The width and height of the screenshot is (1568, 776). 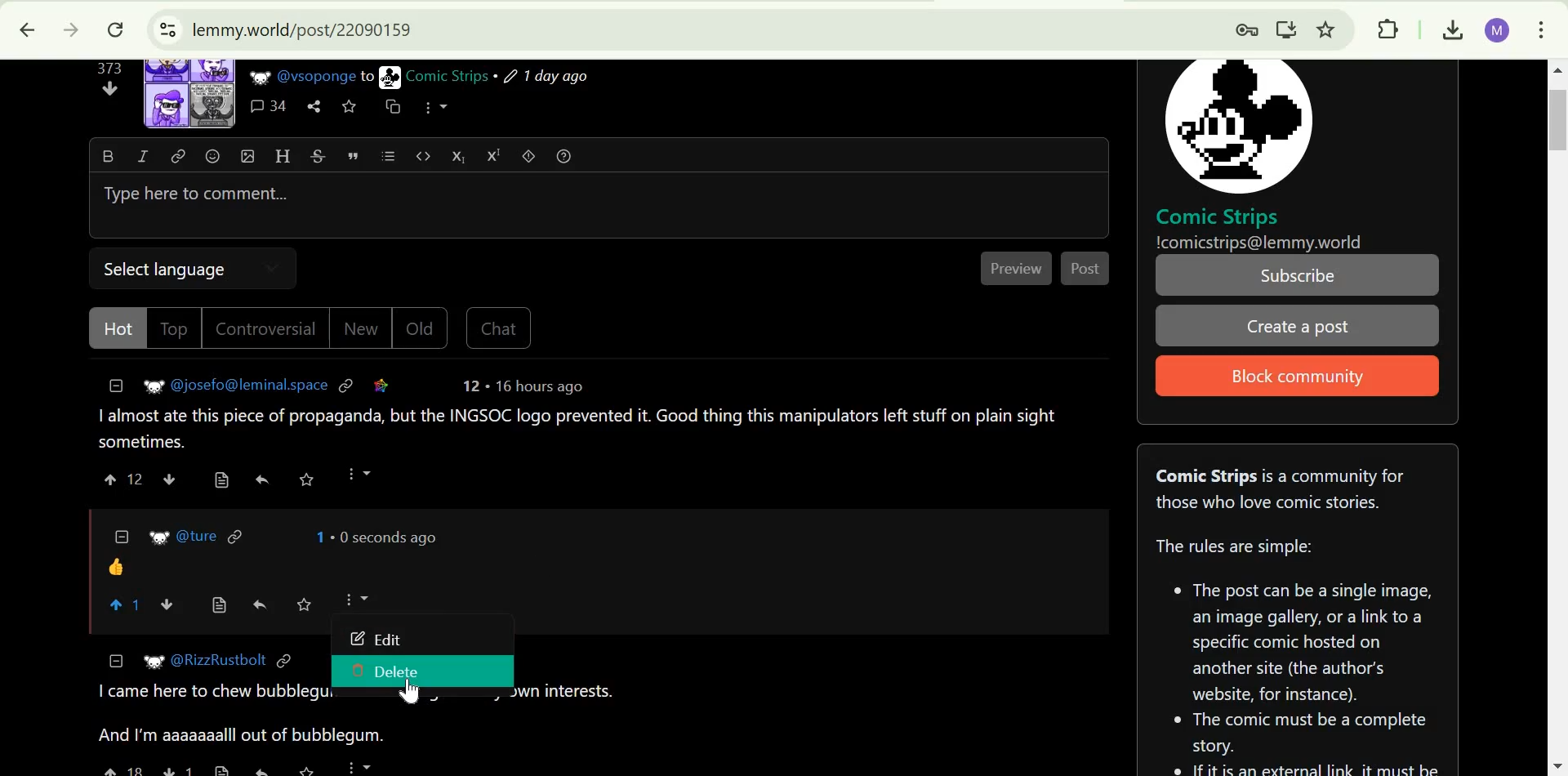 What do you see at coordinates (546, 77) in the screenshot?
I see `1 day ago` at bounding box center [546, 77].